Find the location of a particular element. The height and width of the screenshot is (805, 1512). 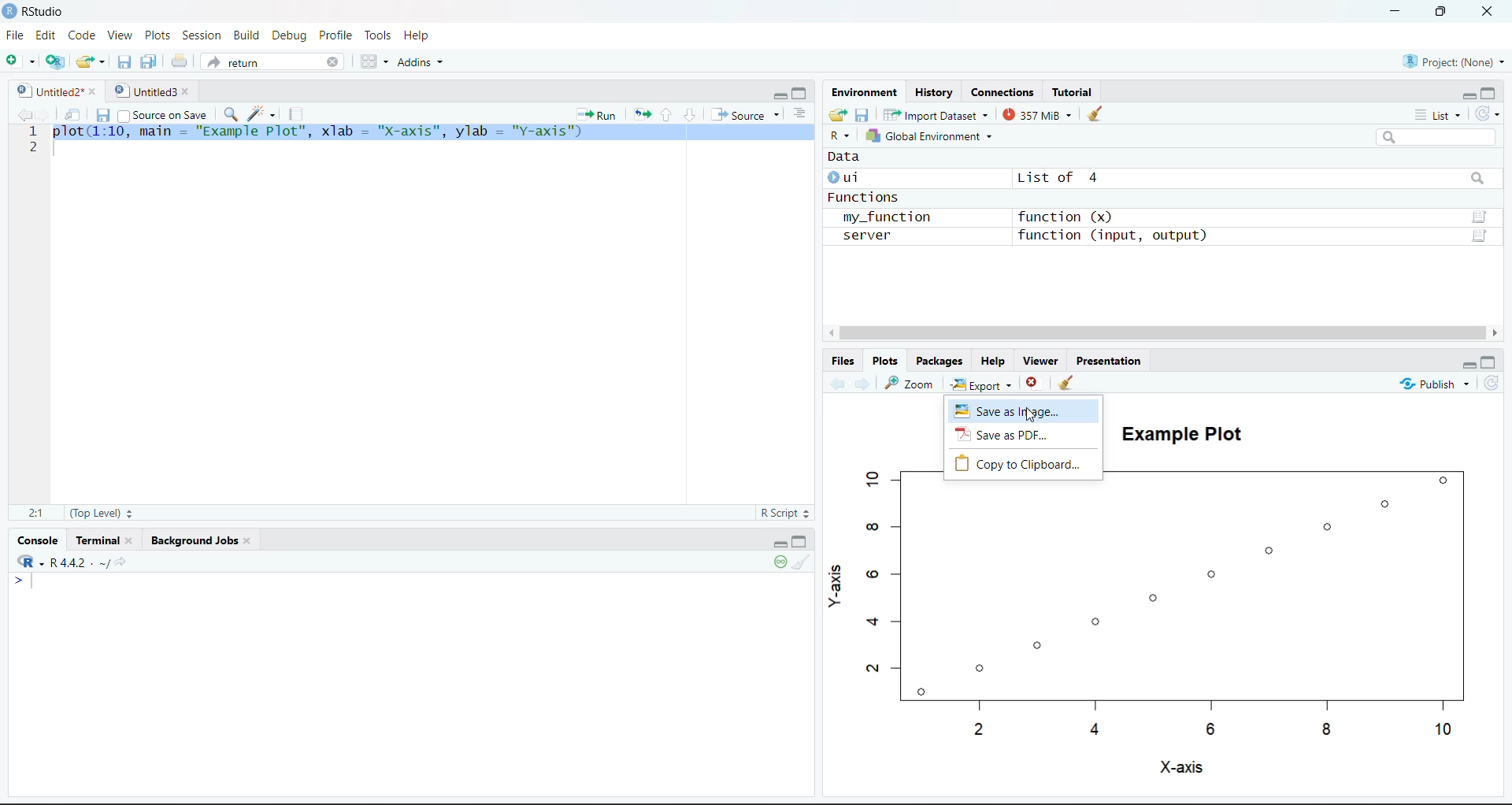

return is located at coordinates (271, 61).